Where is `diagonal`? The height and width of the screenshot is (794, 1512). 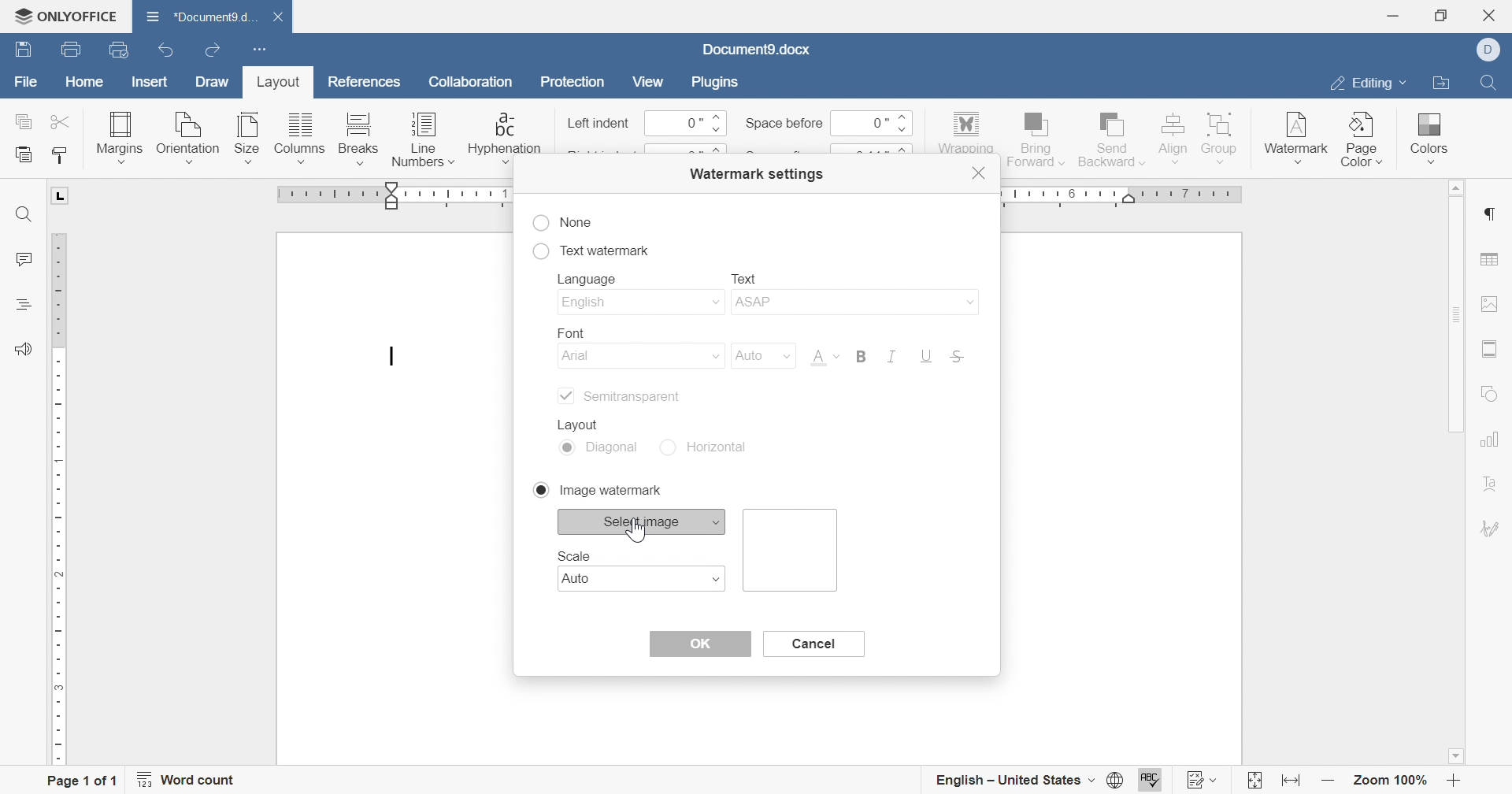 diagonal is located at coordinates (601, 449).